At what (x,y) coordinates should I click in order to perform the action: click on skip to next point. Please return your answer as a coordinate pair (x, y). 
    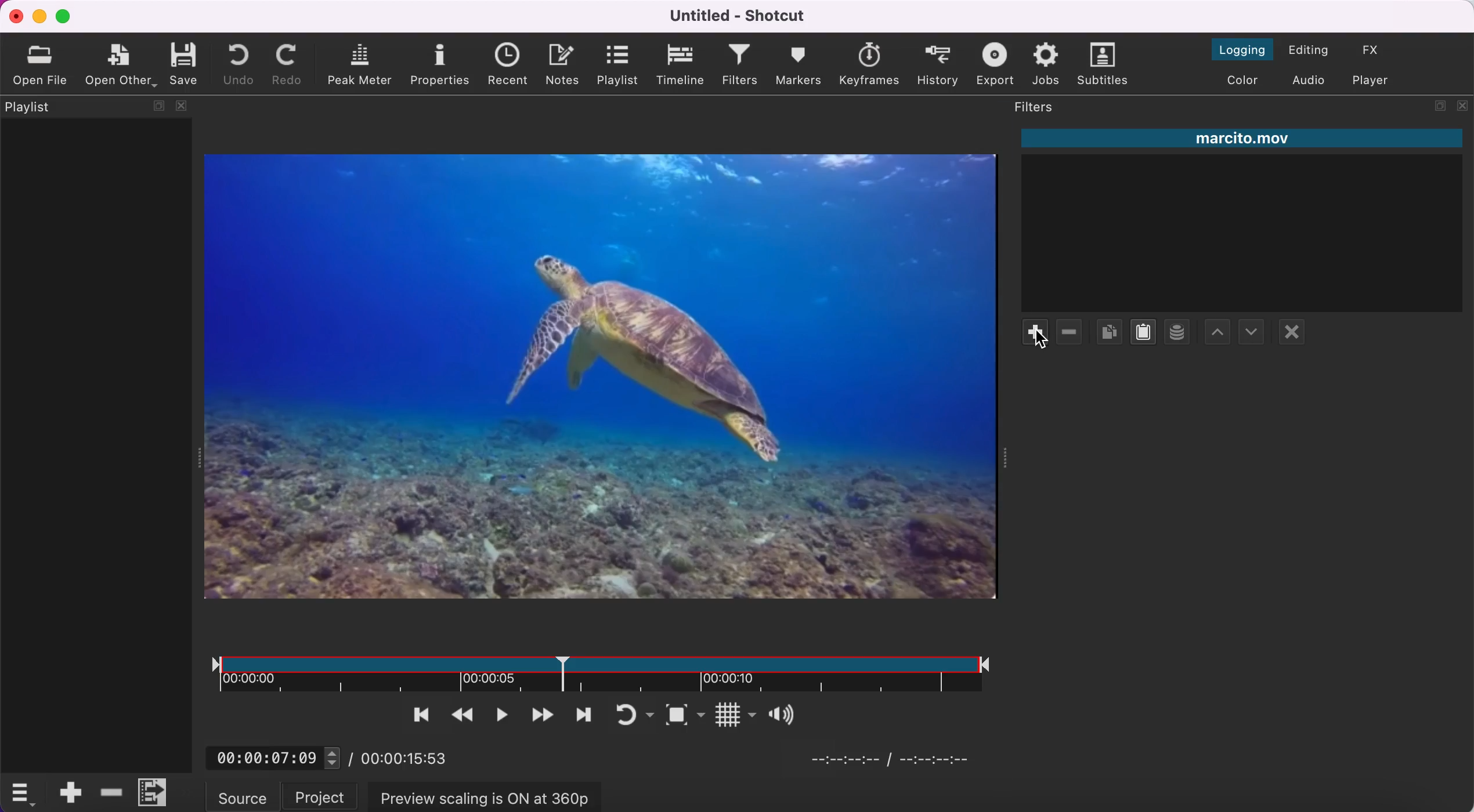
    Looking at the image, I should click on (581, 715).